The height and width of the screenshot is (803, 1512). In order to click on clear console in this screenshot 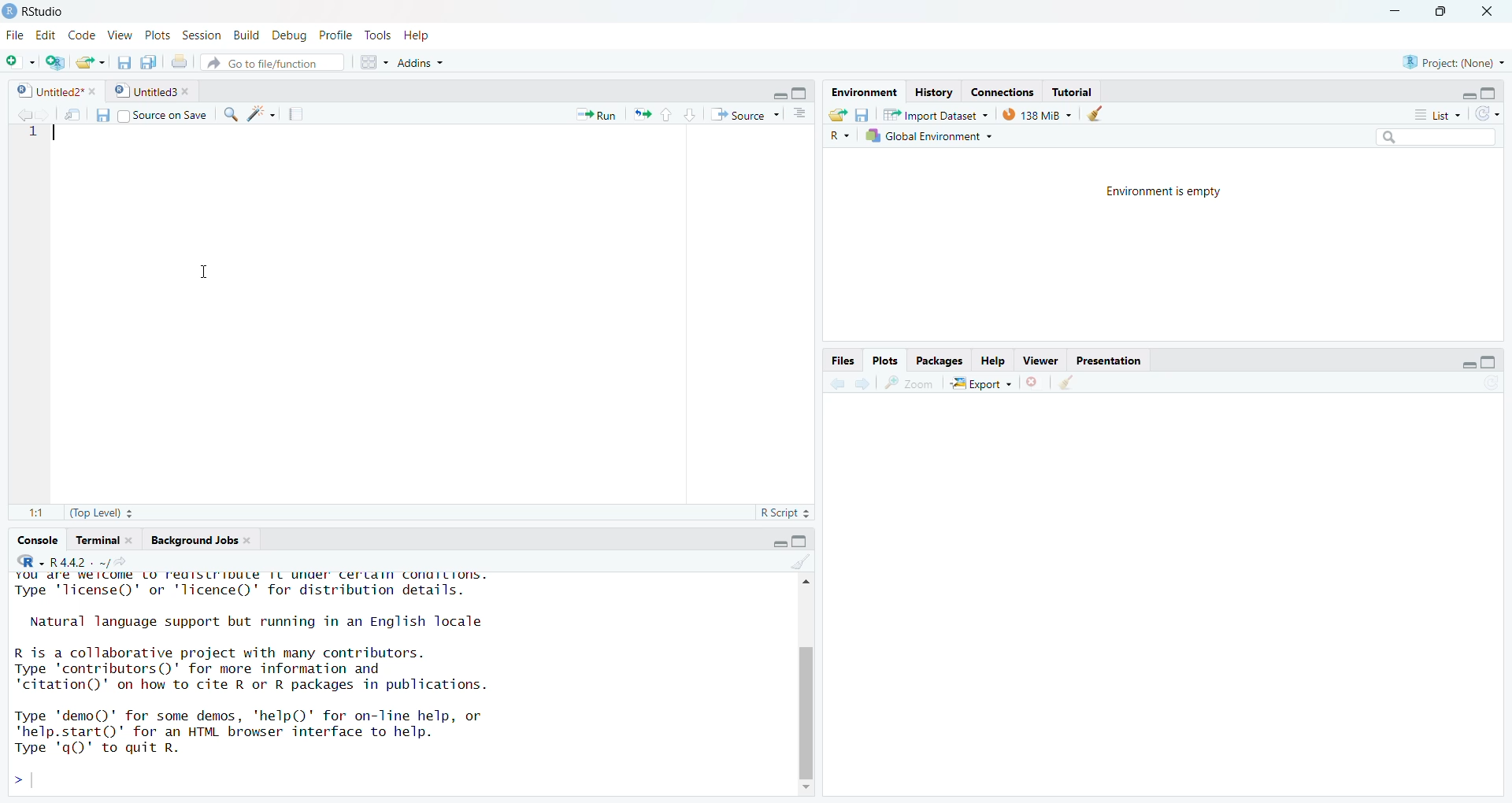, I will do `click(791, 562)`.